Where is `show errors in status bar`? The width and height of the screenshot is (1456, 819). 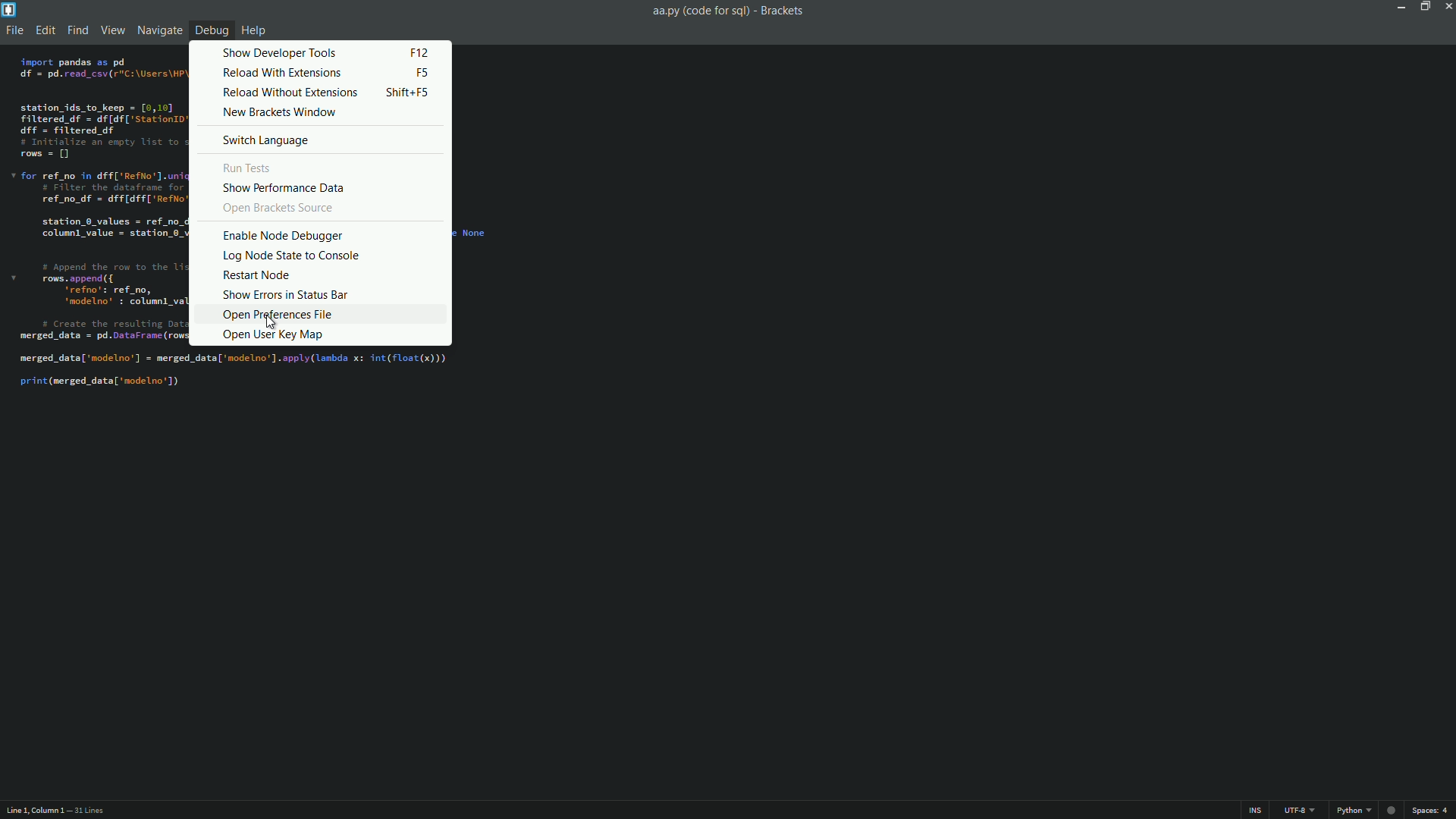
show errors in status bar is located at coordinates (284, 296).